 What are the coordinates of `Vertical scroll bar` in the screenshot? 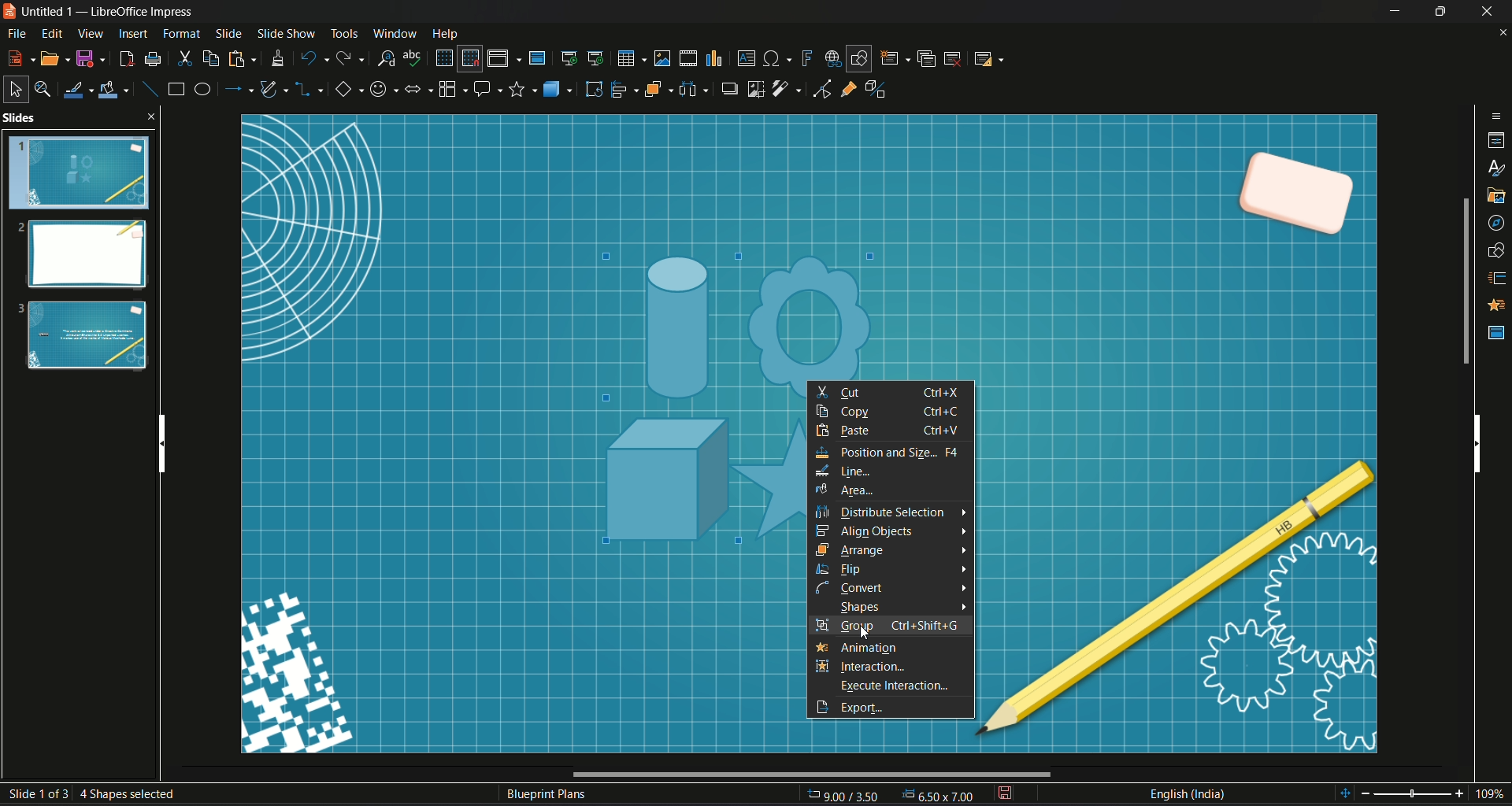 It's located at (160, 439).